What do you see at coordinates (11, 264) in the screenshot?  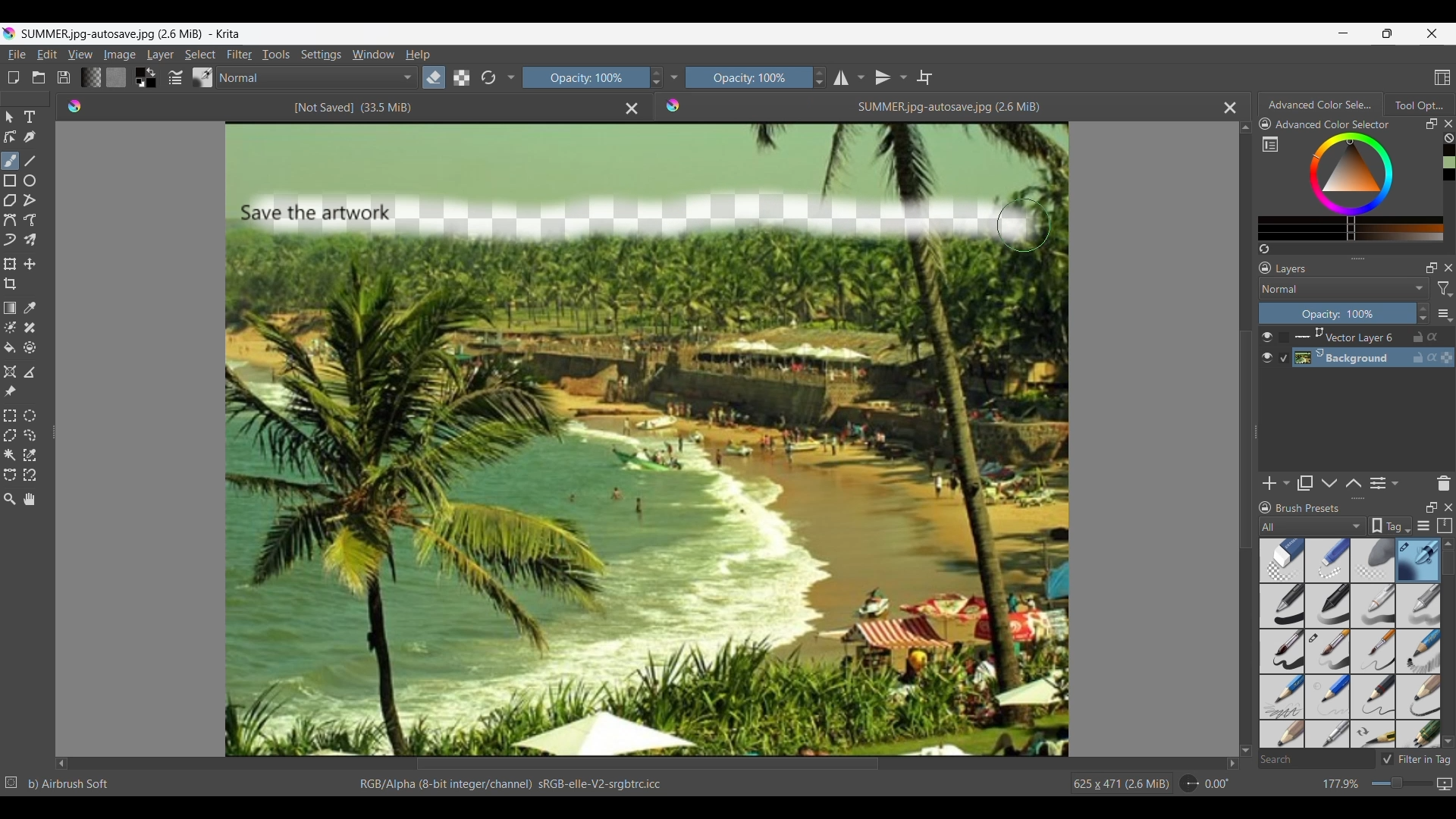 I see `Transform a layer or selection` at bounding box center [11, 264].